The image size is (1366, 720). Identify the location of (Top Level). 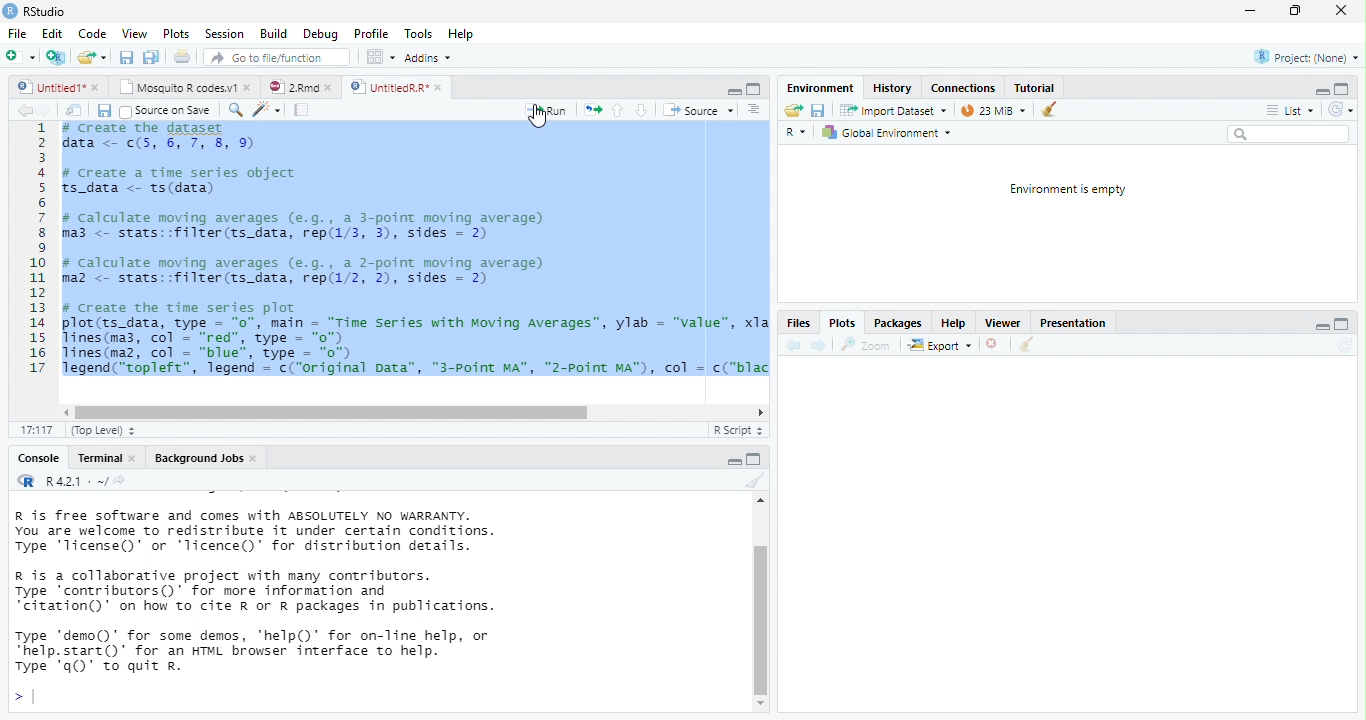
(98, 431).